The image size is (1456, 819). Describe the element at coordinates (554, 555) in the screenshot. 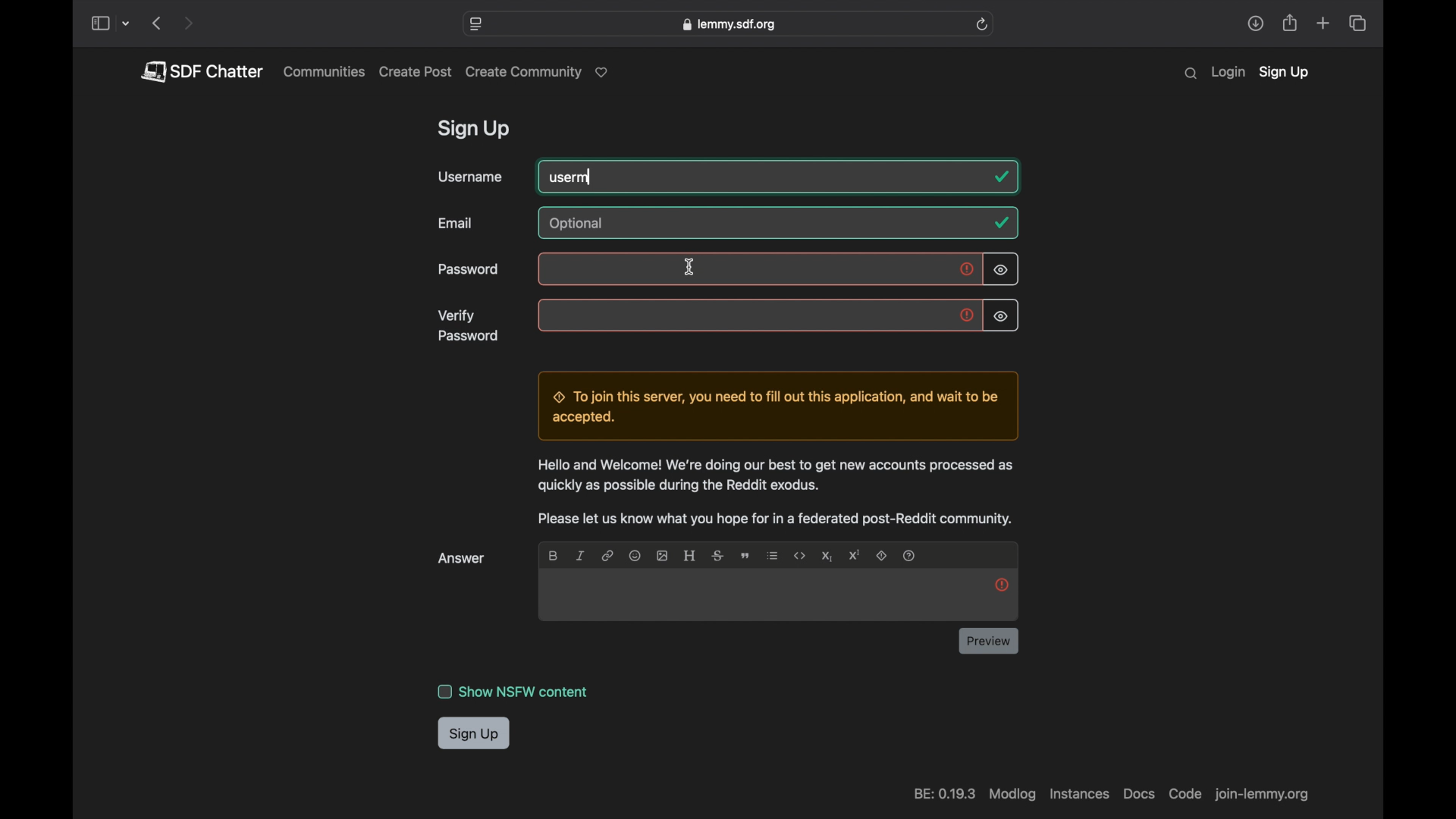

I see `bold` at that location.